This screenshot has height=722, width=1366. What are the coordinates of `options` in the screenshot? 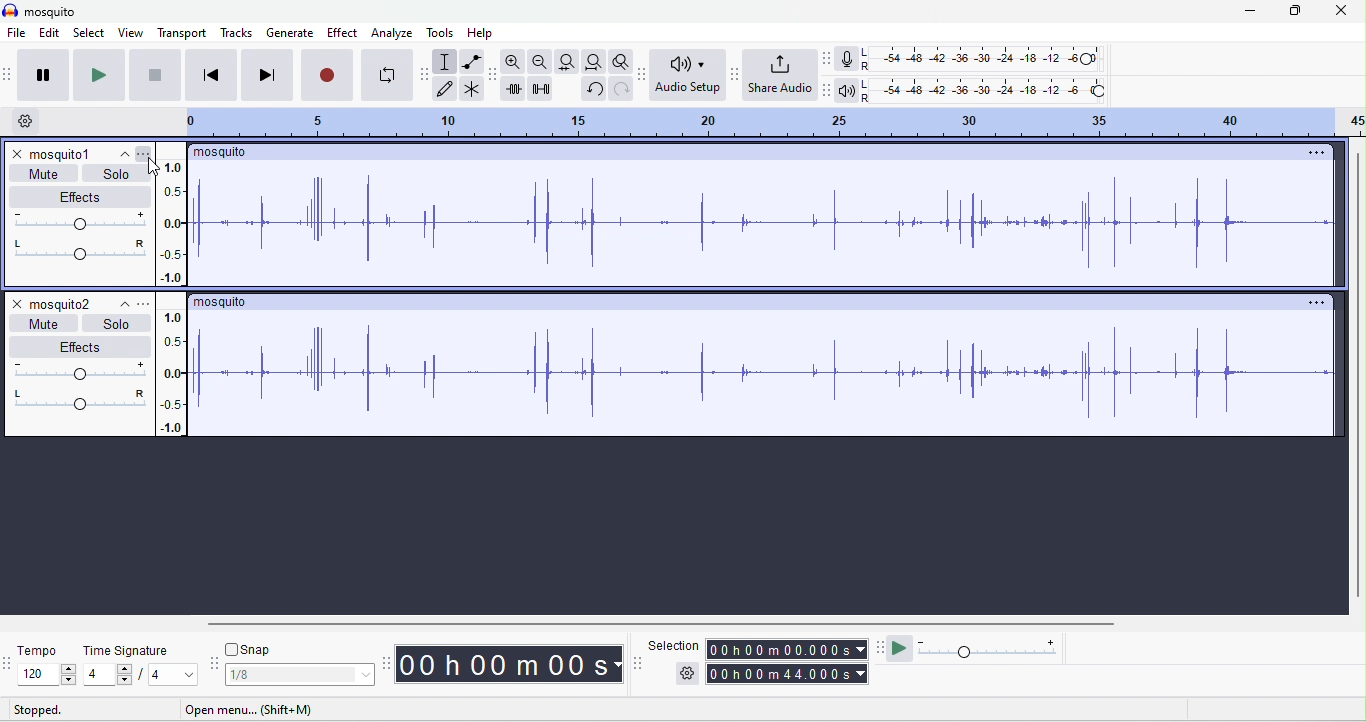 It's located at (146, 303).